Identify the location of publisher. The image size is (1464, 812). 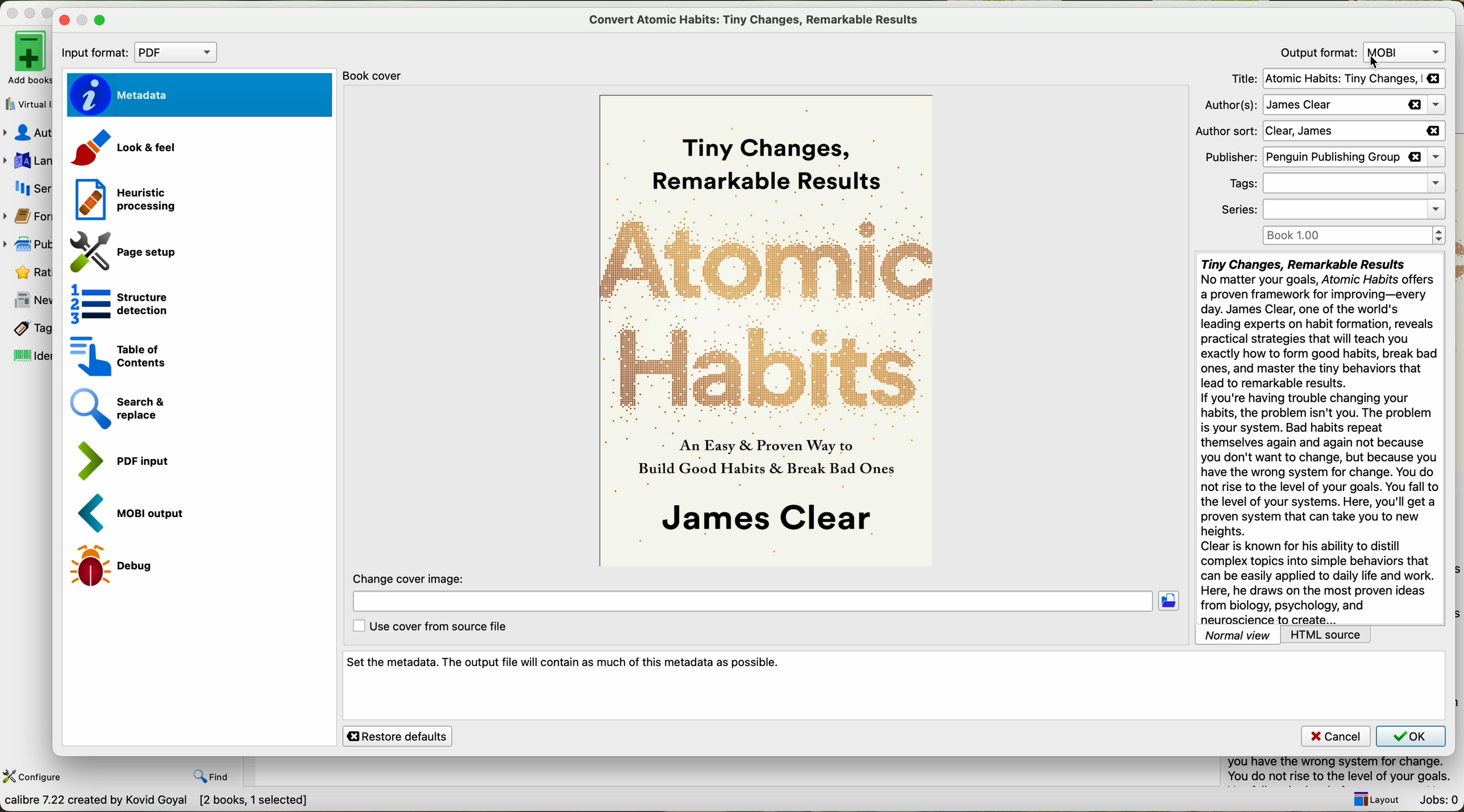
(28, 244).